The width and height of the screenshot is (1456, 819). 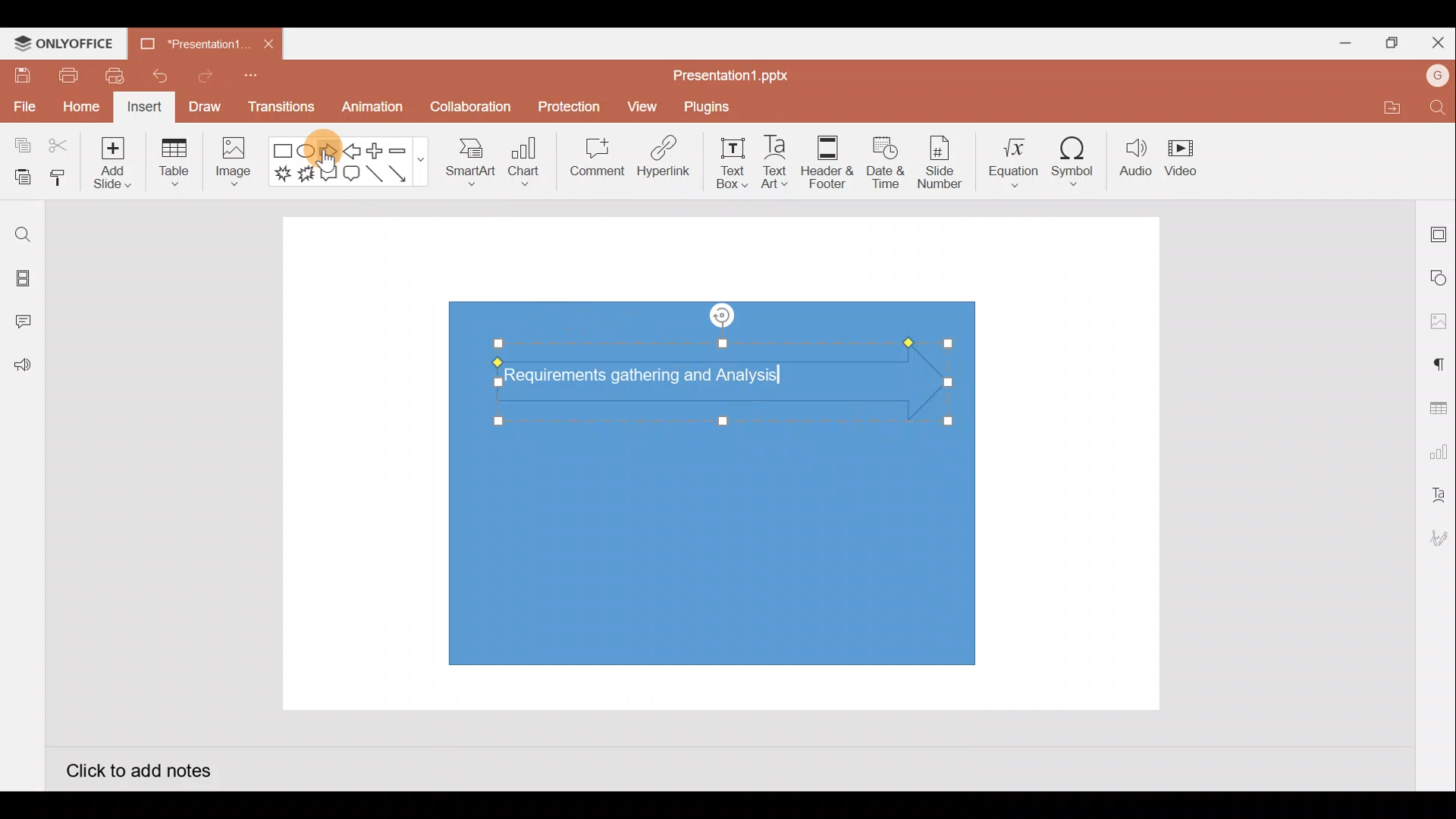 I want to click on Explosion 2, so click(x=306, y=175).